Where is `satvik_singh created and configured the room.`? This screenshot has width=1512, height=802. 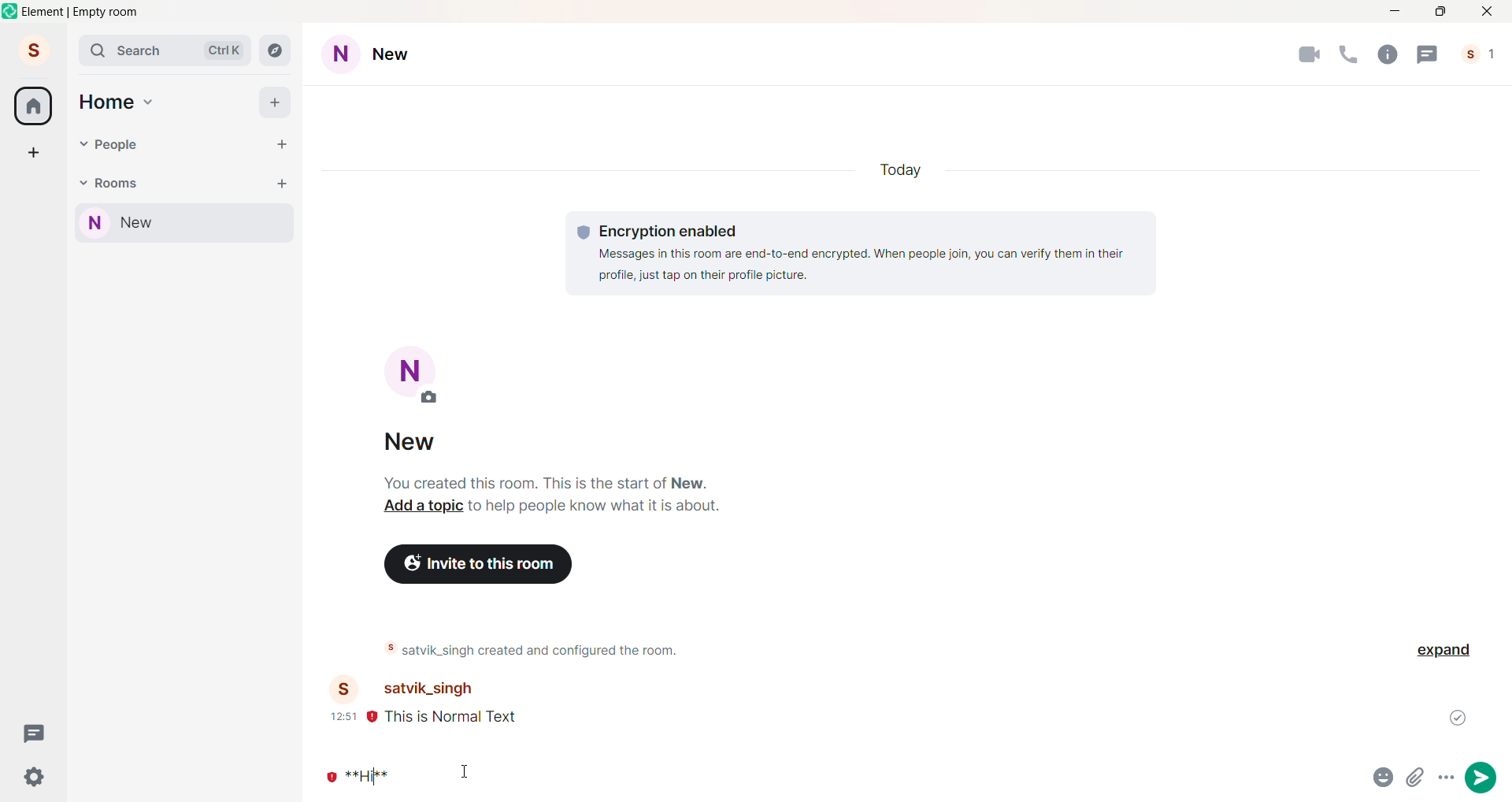 satvik_singh created and configured the room. is located at coordinates (558, 650).